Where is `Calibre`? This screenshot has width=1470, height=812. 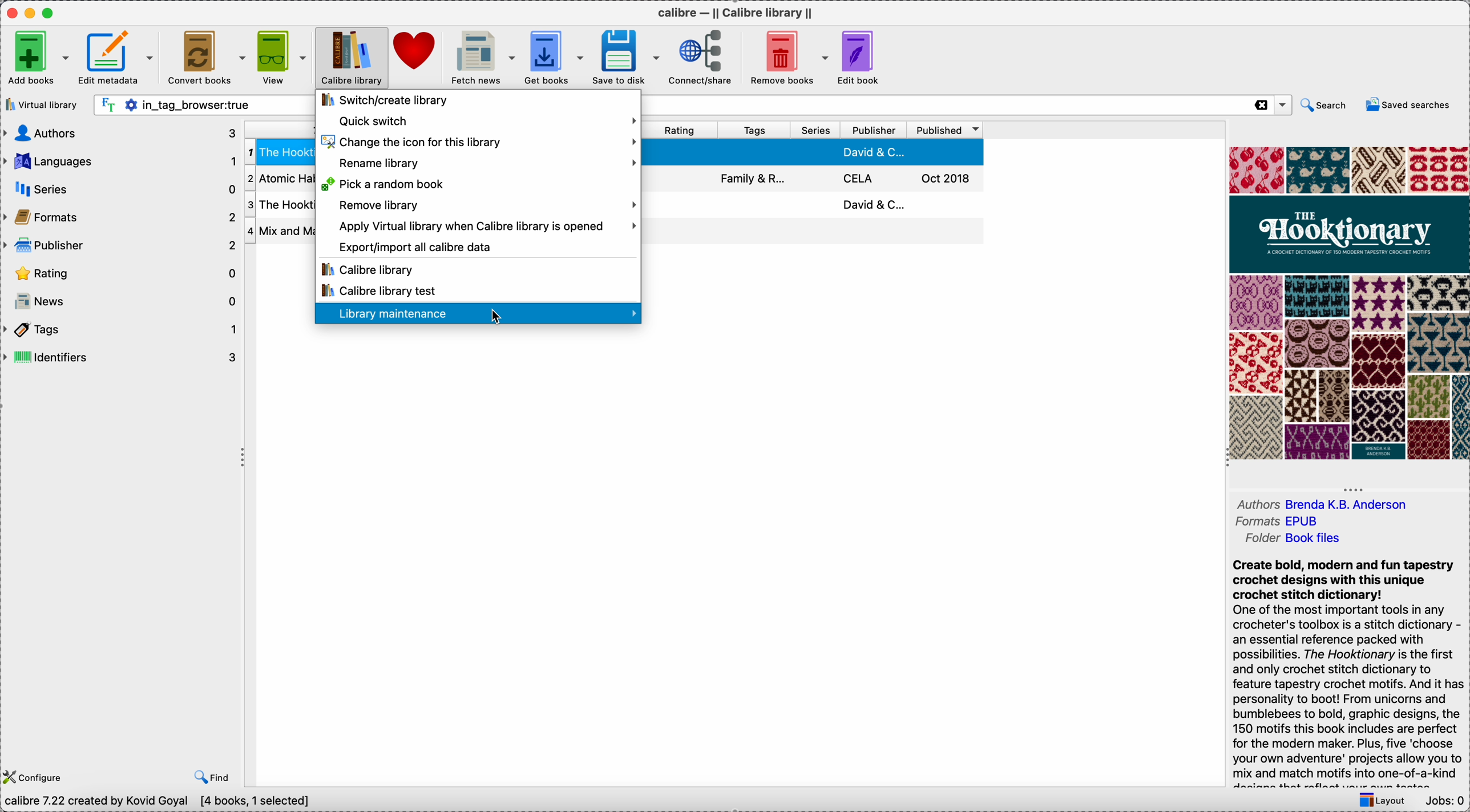
Calibre is located at coordinates (738, 11).